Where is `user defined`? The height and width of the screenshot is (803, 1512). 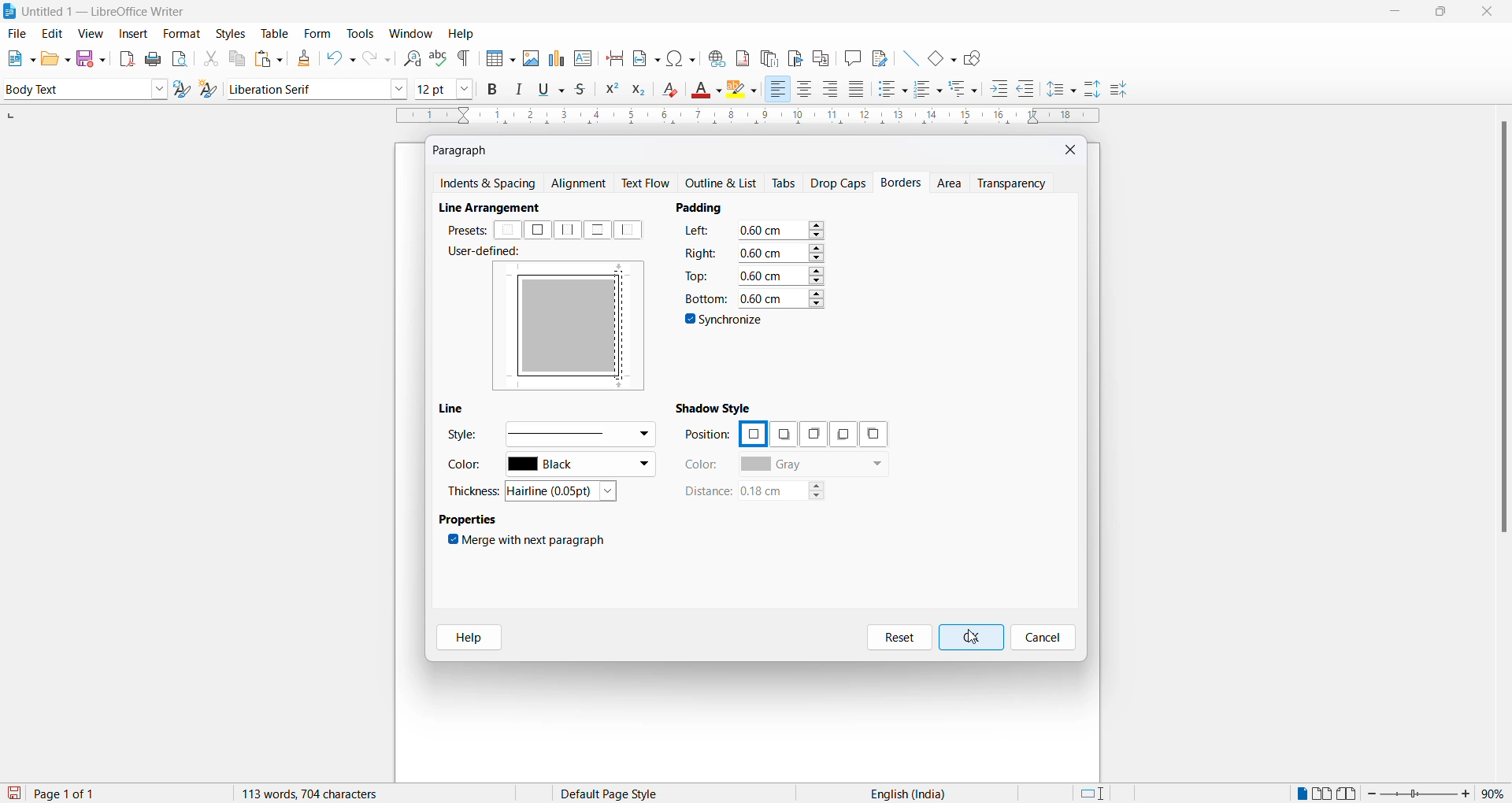
user defined is located at coordinates (489, 253).